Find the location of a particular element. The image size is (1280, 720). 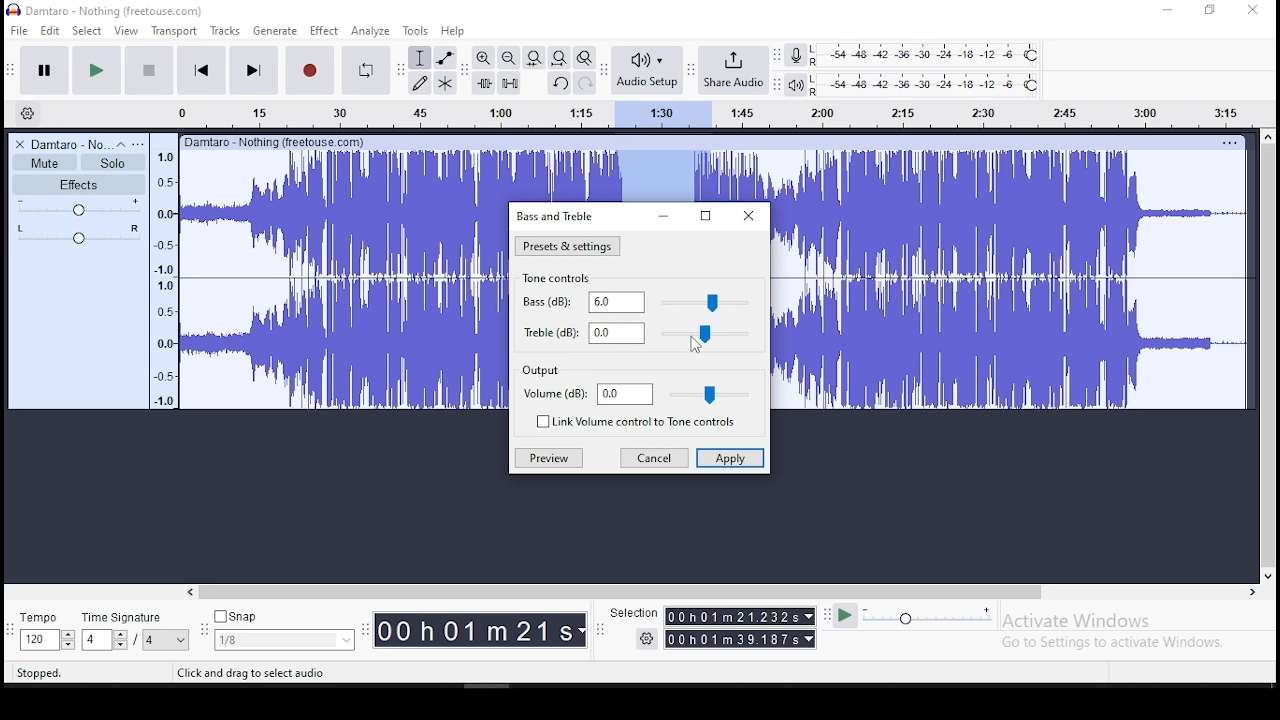

 is located at coordinates (604, 70).